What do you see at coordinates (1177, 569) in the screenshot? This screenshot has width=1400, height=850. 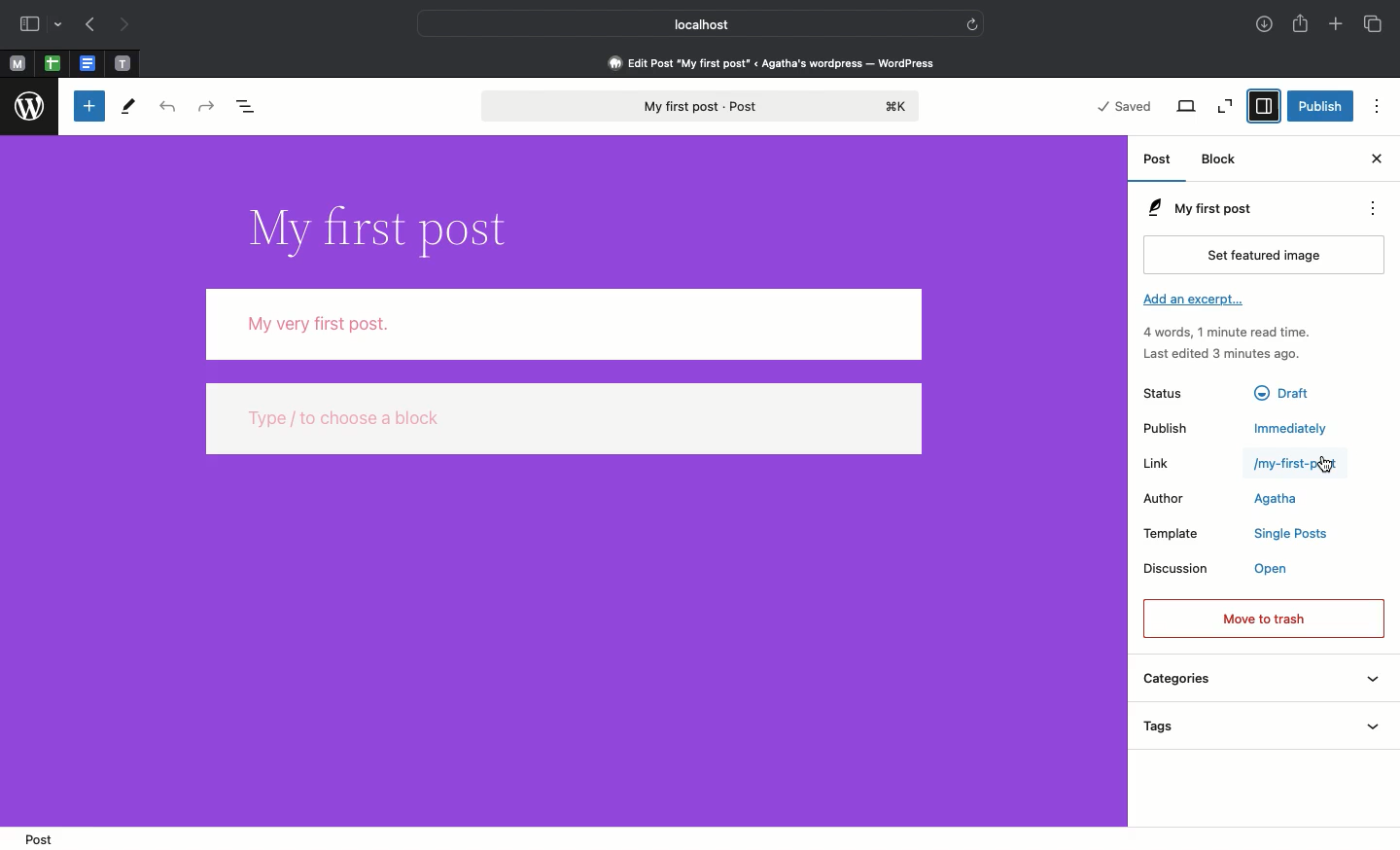 I see `Discussion` at bounding box center [1177, 569].